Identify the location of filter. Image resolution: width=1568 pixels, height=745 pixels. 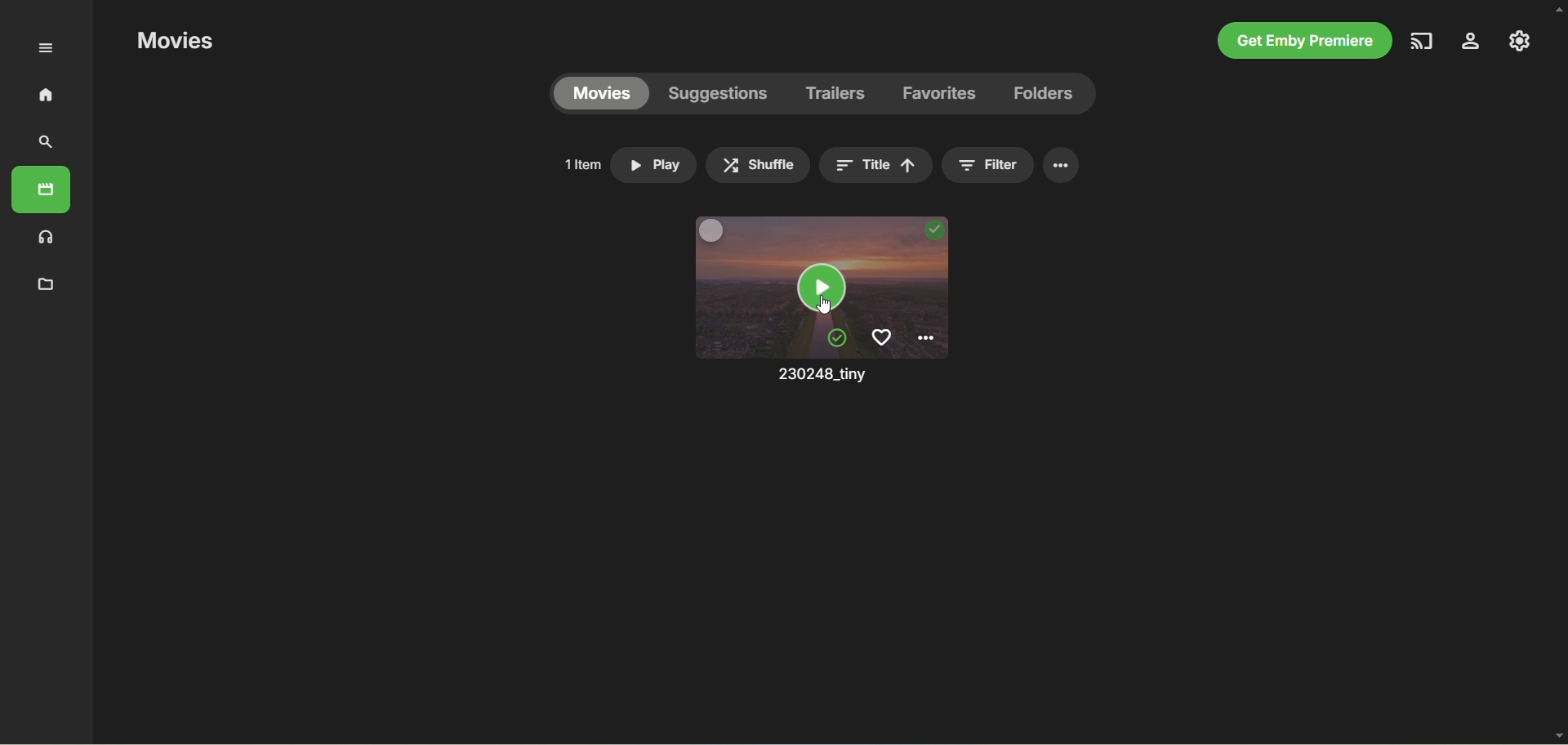
(987, 165).